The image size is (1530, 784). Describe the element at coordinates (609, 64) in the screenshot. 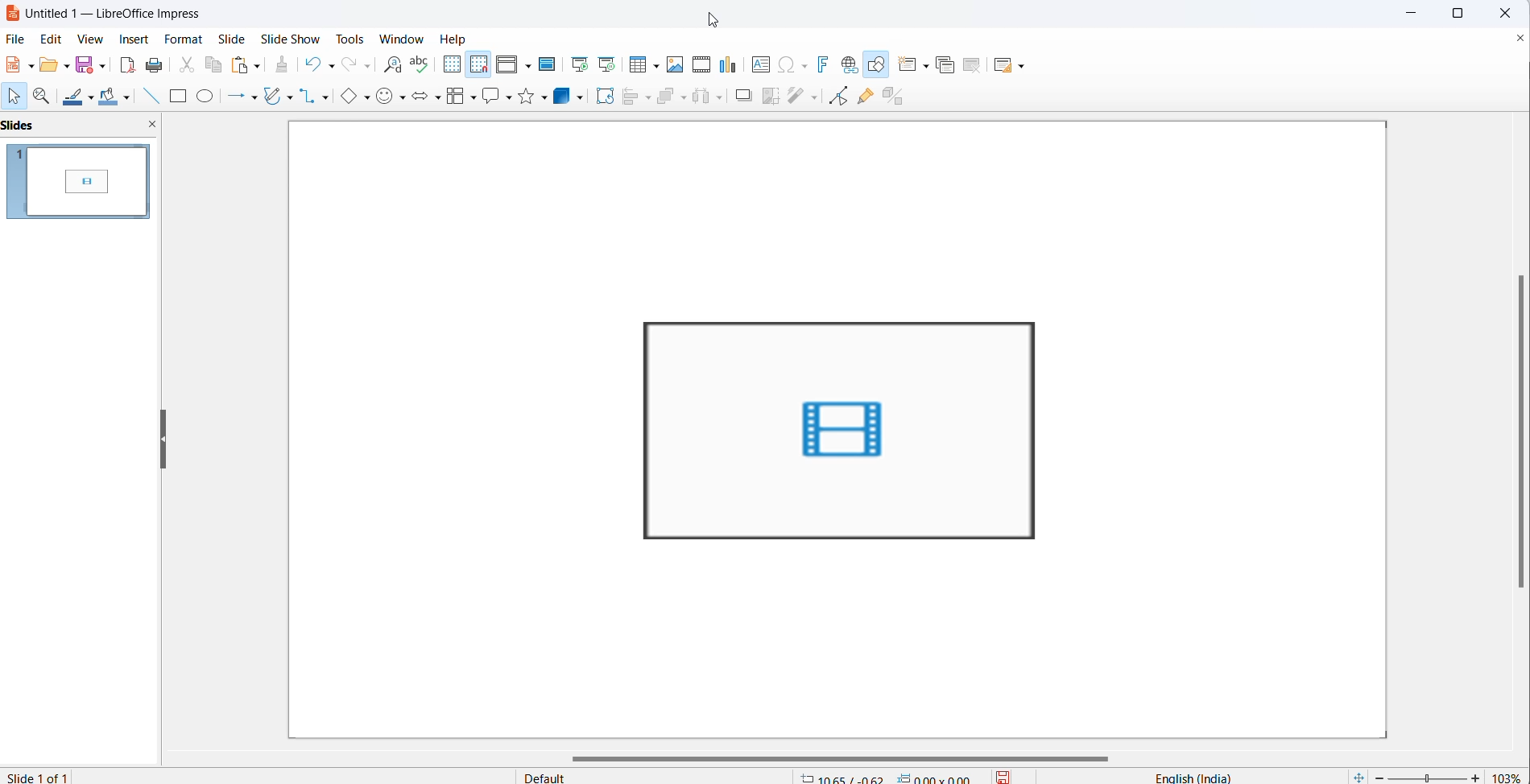

I see `start from current slide` at that location.